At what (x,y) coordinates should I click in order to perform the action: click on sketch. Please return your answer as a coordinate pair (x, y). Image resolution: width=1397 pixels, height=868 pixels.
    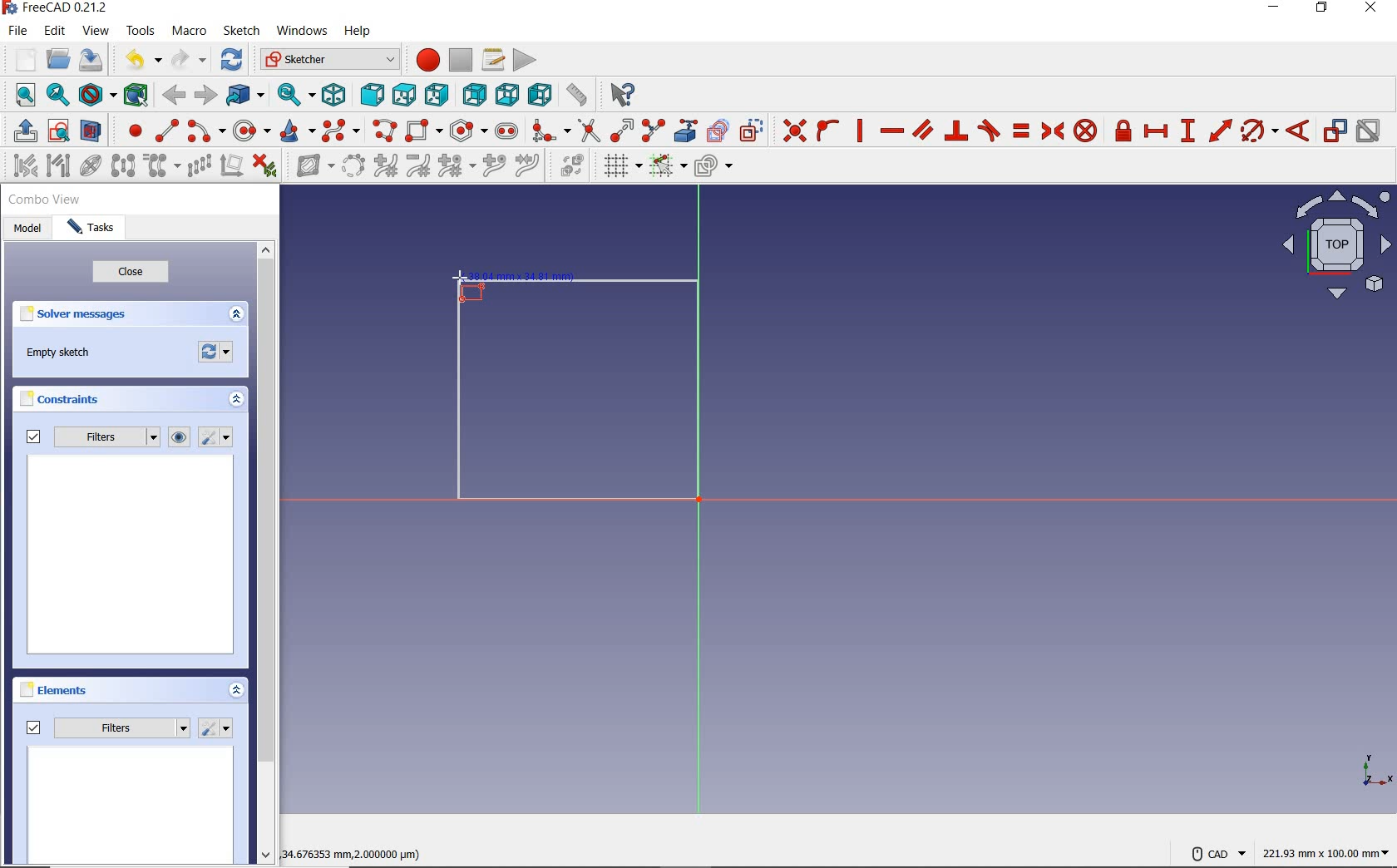
    Looking at the image, I should click on (242, 31).